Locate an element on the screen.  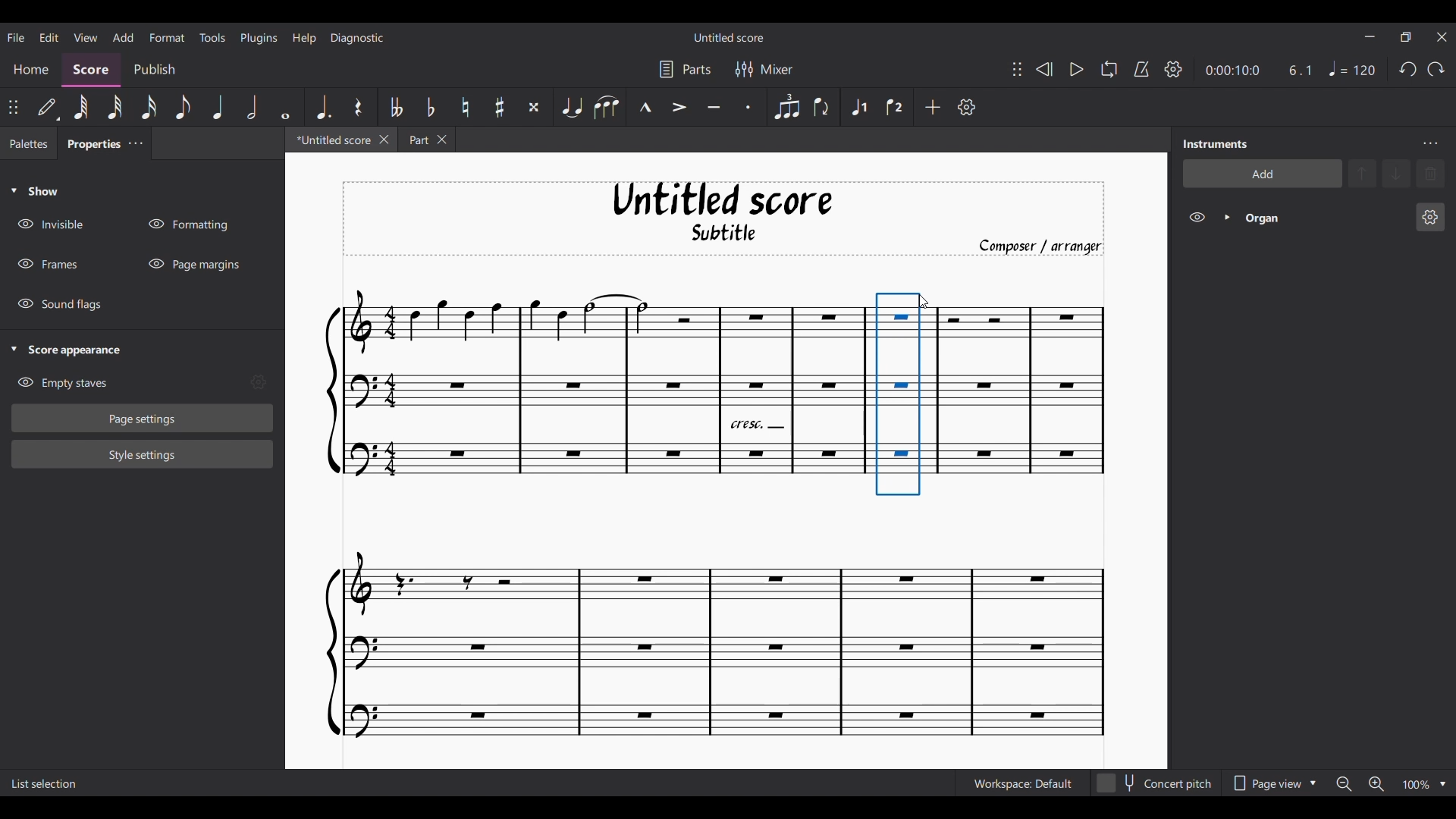
Close current tab is located at coordinates (384, 139).